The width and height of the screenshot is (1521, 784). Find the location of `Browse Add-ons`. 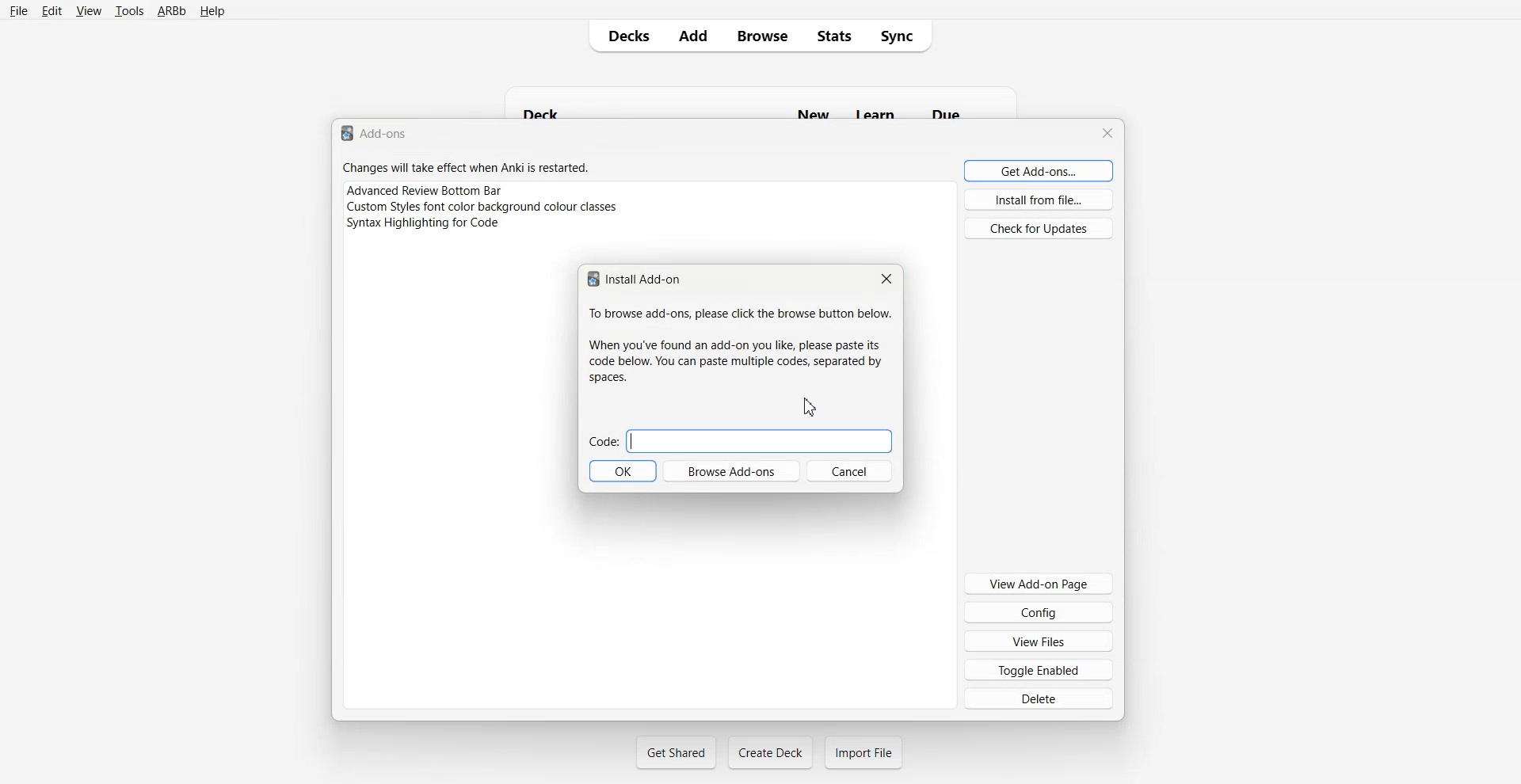

Browse Add-ons is located at coordinates (732, 470).